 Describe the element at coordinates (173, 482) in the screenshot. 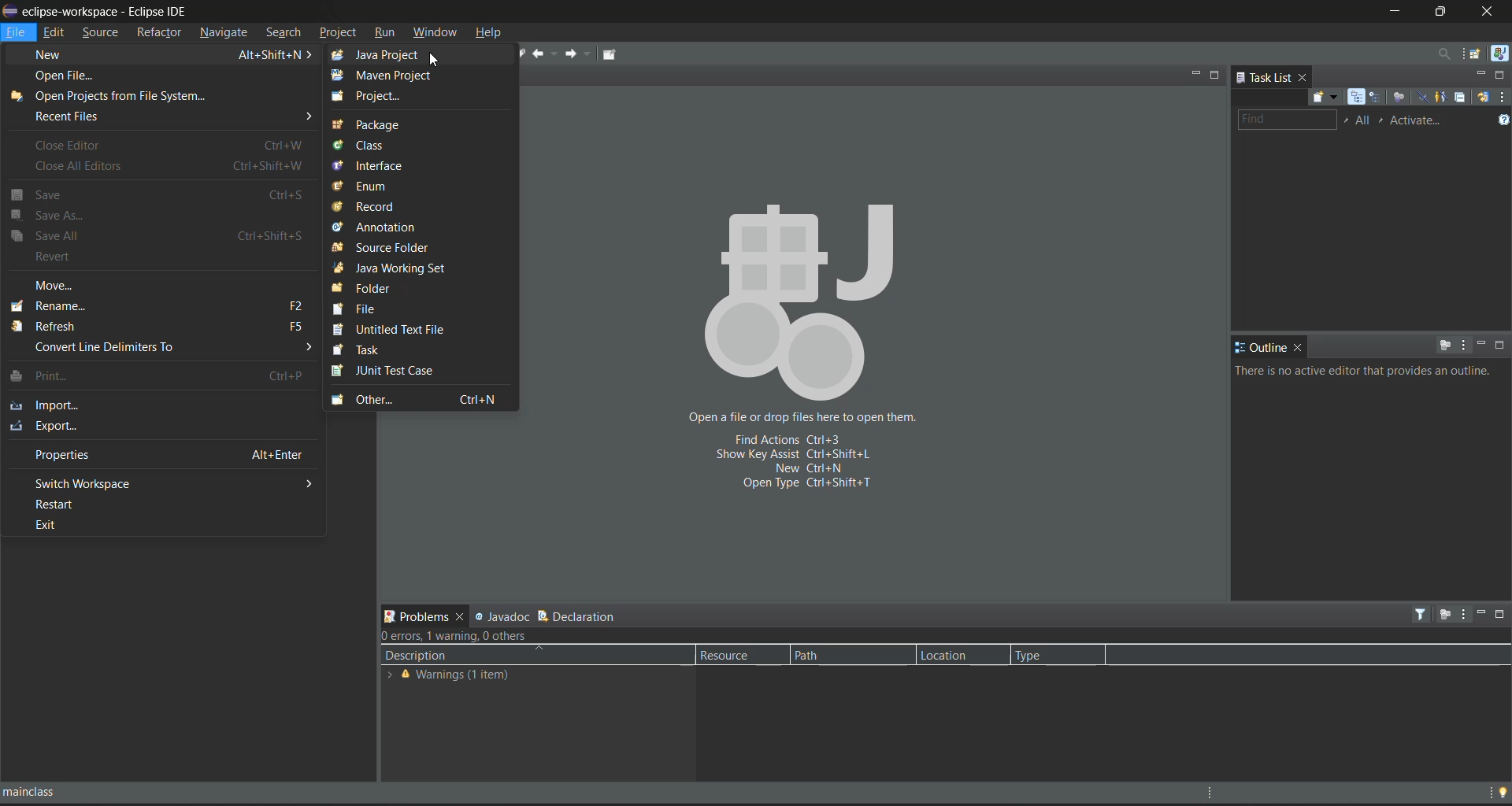

I see `switch workspace` at that location.